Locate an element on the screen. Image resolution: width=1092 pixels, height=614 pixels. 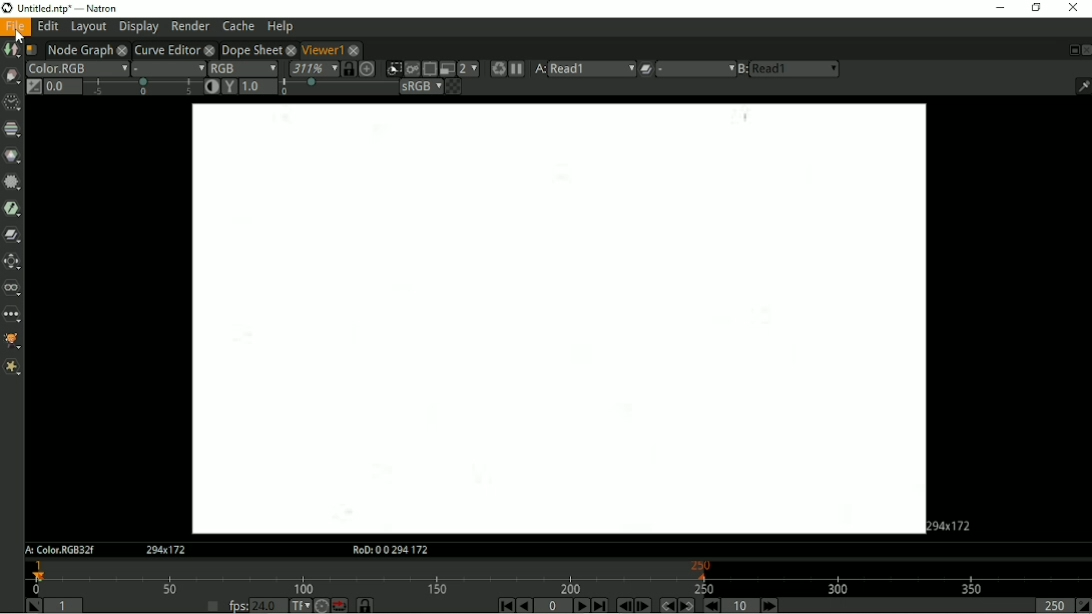
Script name is located at coordinates (32, 50).